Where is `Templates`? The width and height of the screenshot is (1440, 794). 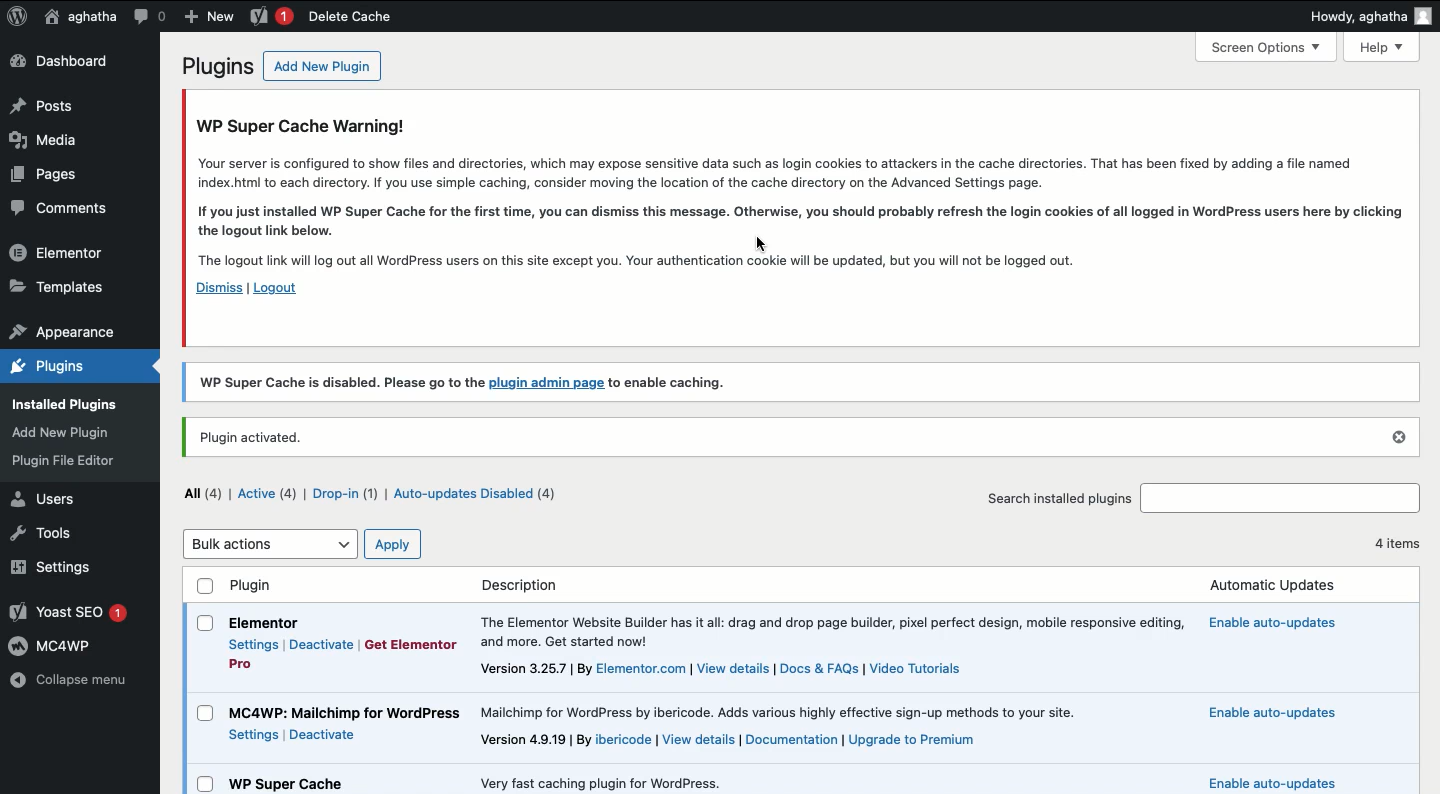 Templates is located at coordinates (59, 288).